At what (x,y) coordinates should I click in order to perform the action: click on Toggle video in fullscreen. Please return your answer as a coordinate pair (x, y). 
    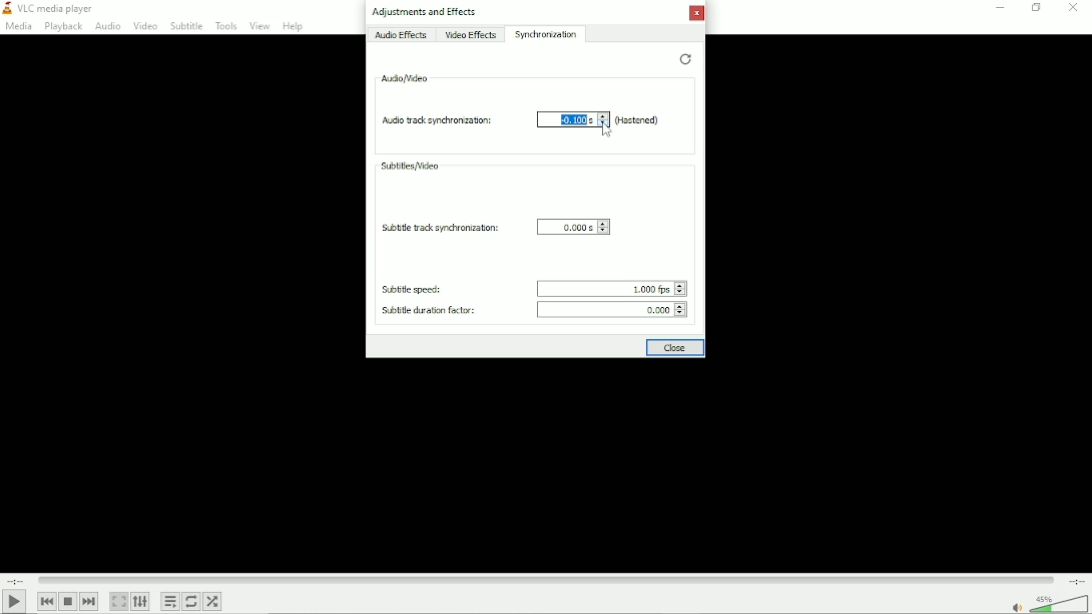
    Looking at the image, I should click on (119, 601).